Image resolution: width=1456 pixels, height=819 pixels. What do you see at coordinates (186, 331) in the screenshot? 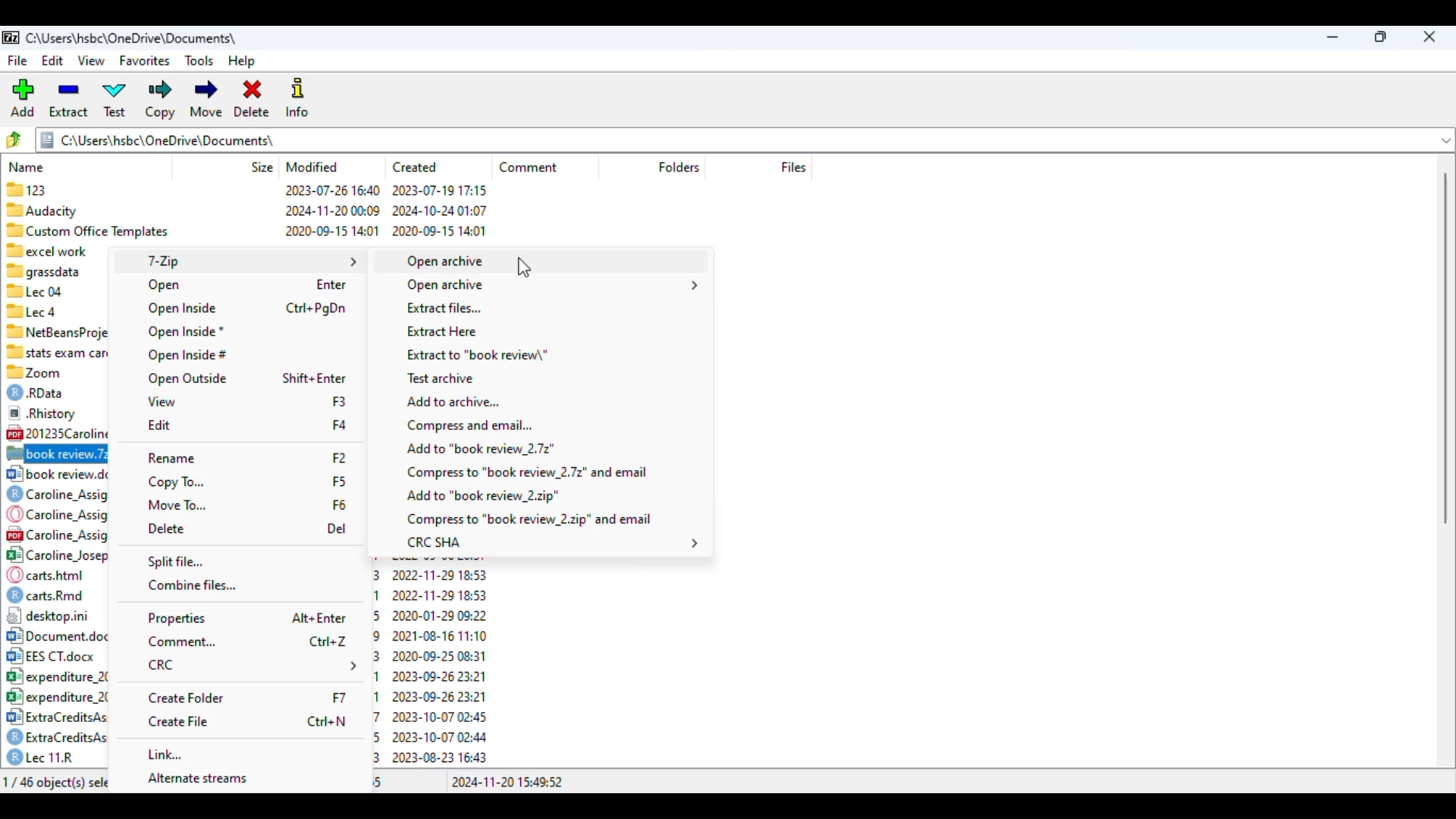
I see `open inside*` at bounding box center [186, 331].